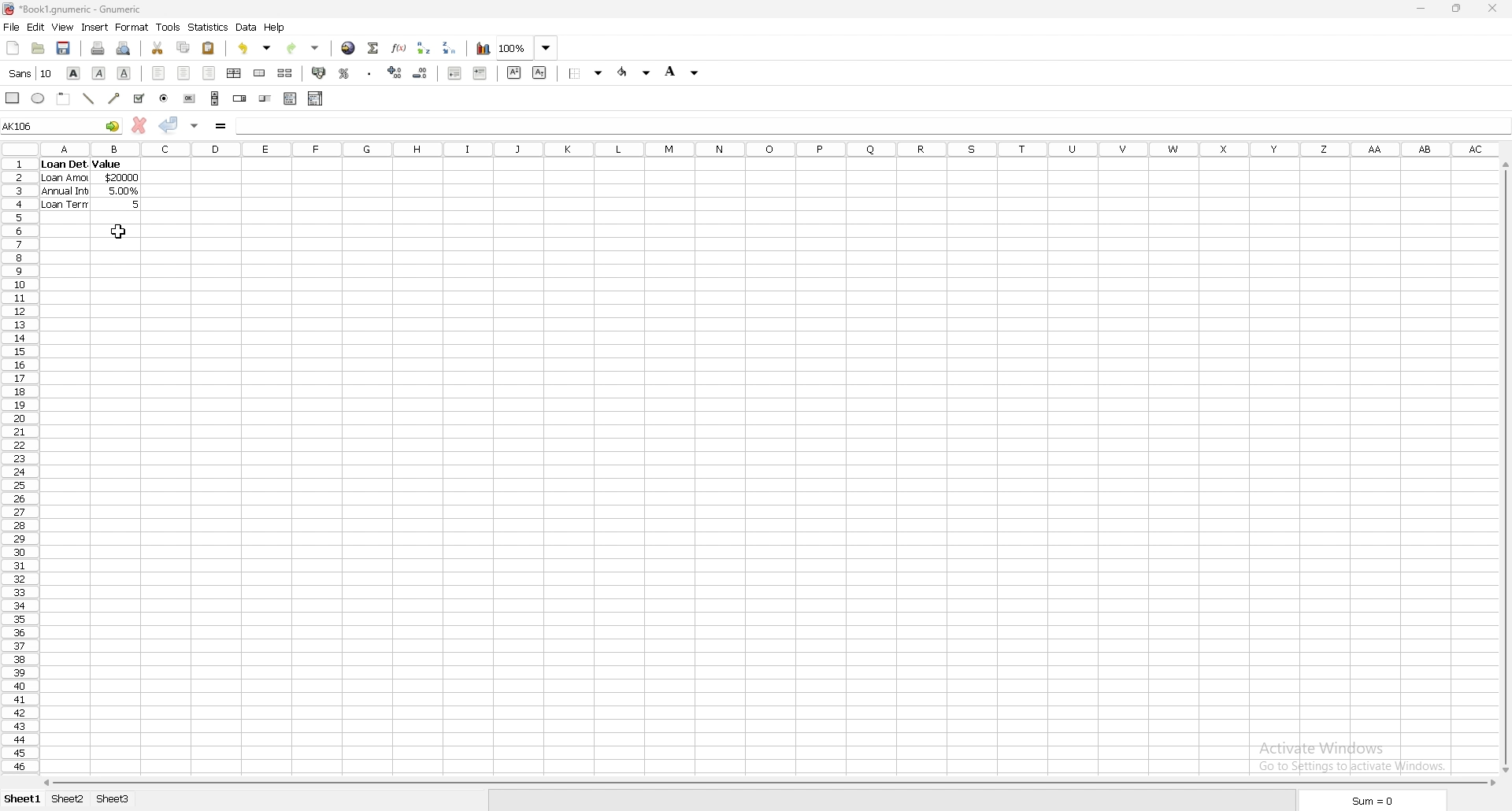 Image resolution: width=1512 pixels, height=811 pixels. Describe the element at coordinates (871, 125) in the screenshot. I see `cell input` at that location.